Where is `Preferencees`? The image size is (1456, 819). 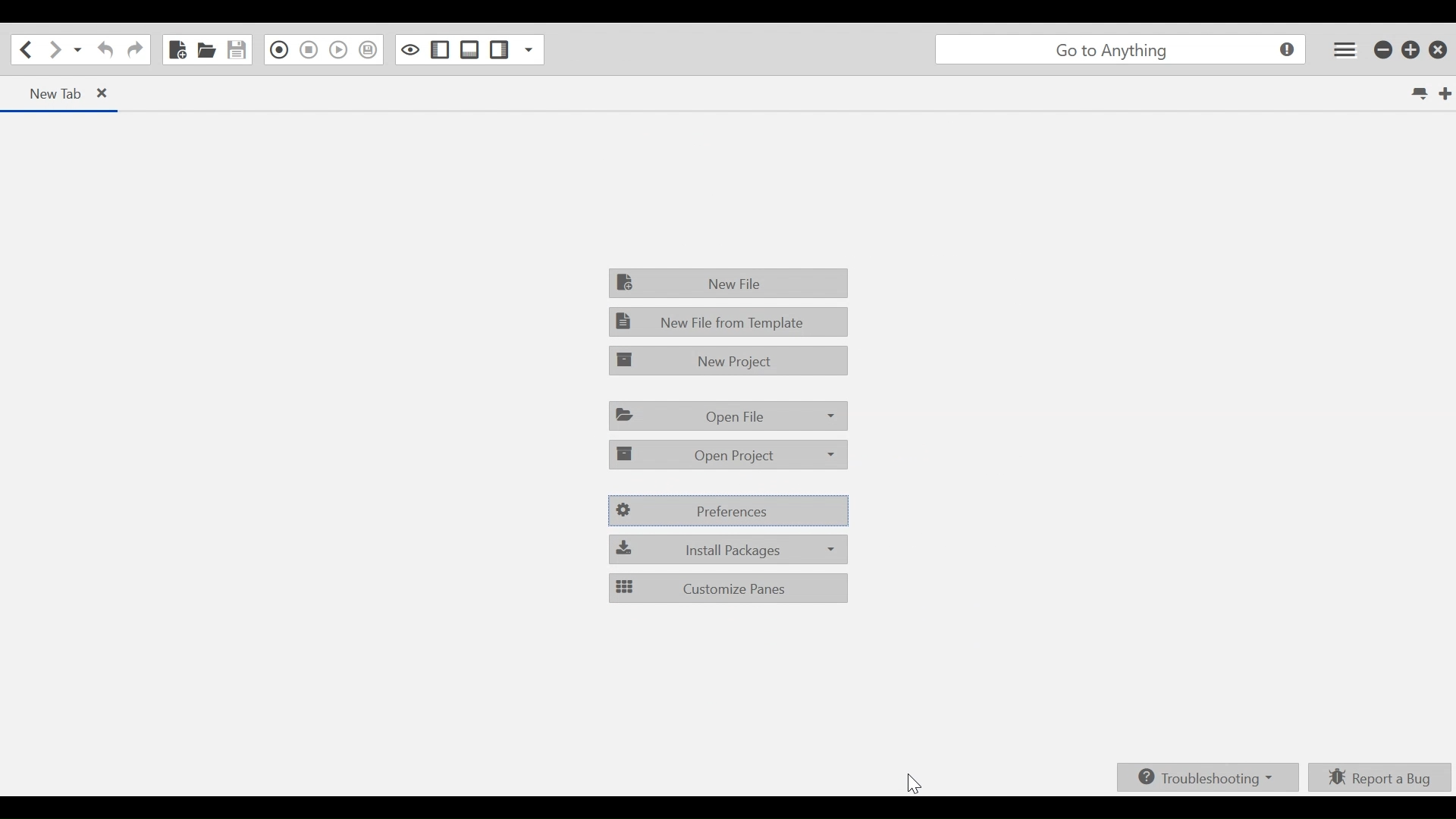 Preferencees is located at coordinates (726, 511).